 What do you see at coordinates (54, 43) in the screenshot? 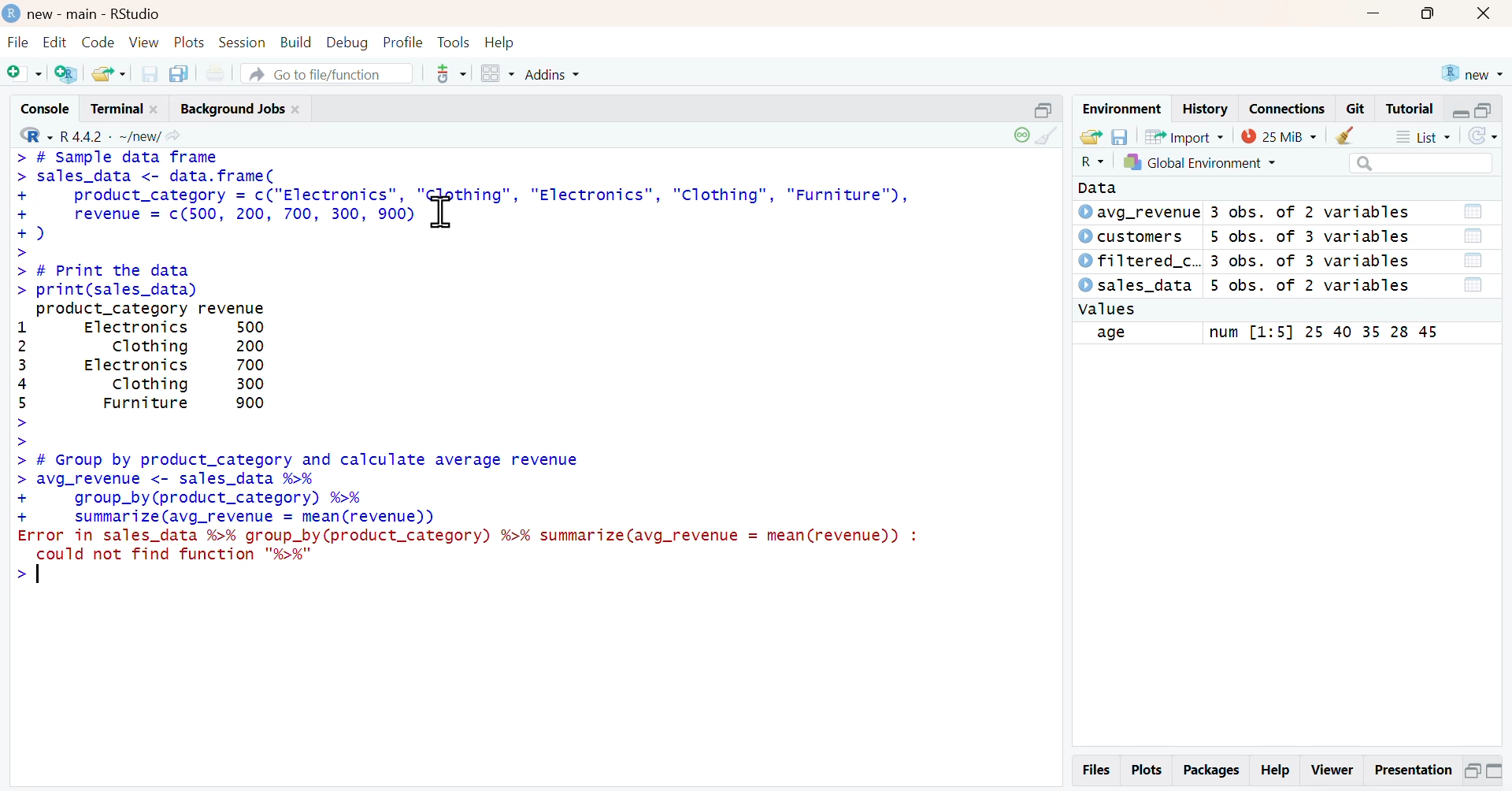
I see `Edit` at bounding box center [54, 43].